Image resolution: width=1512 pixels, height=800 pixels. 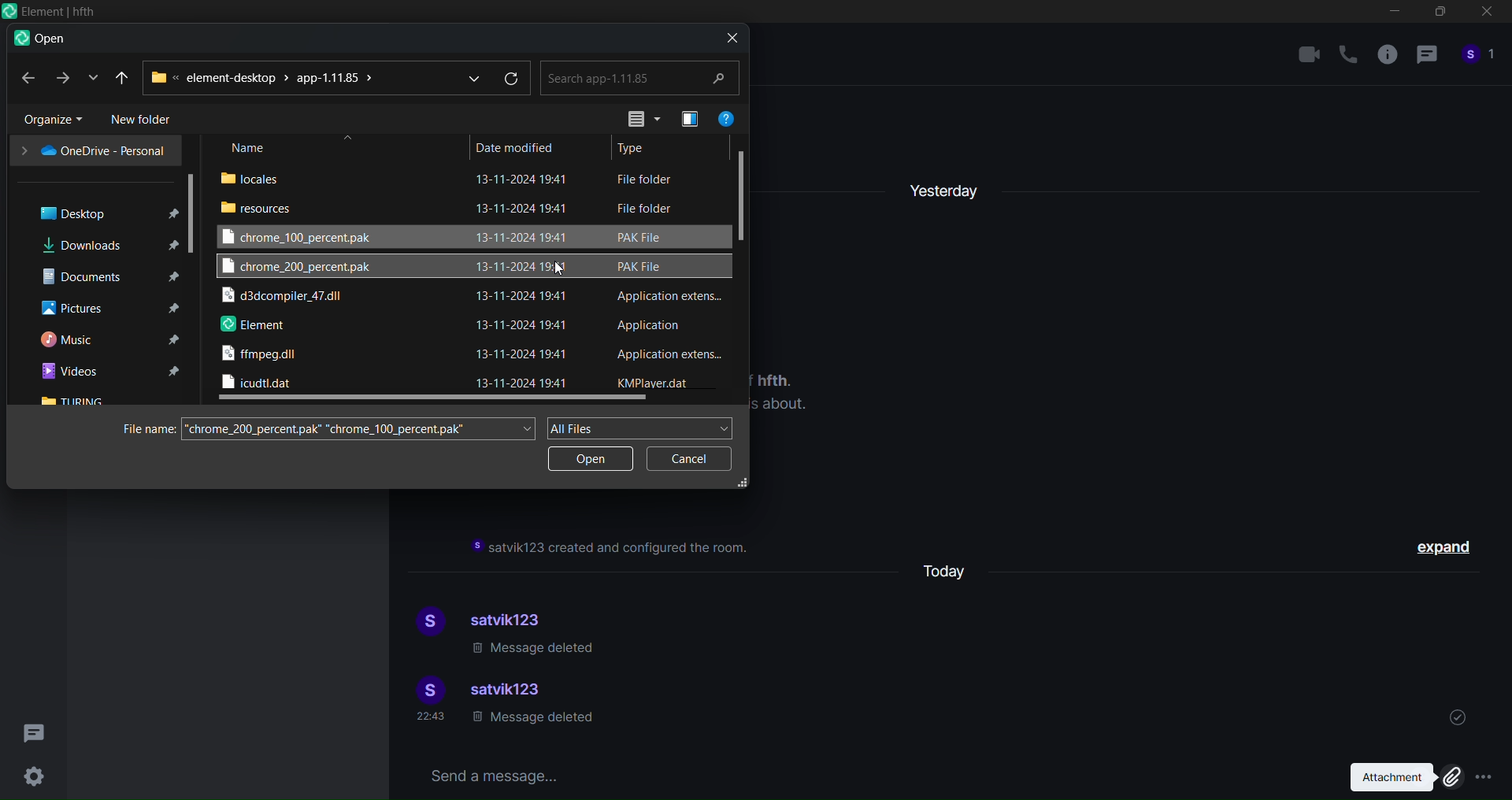 What do you see at coordinates (46, 119) in the screenshot?
I see `organize` at bounding box center [46, 119].